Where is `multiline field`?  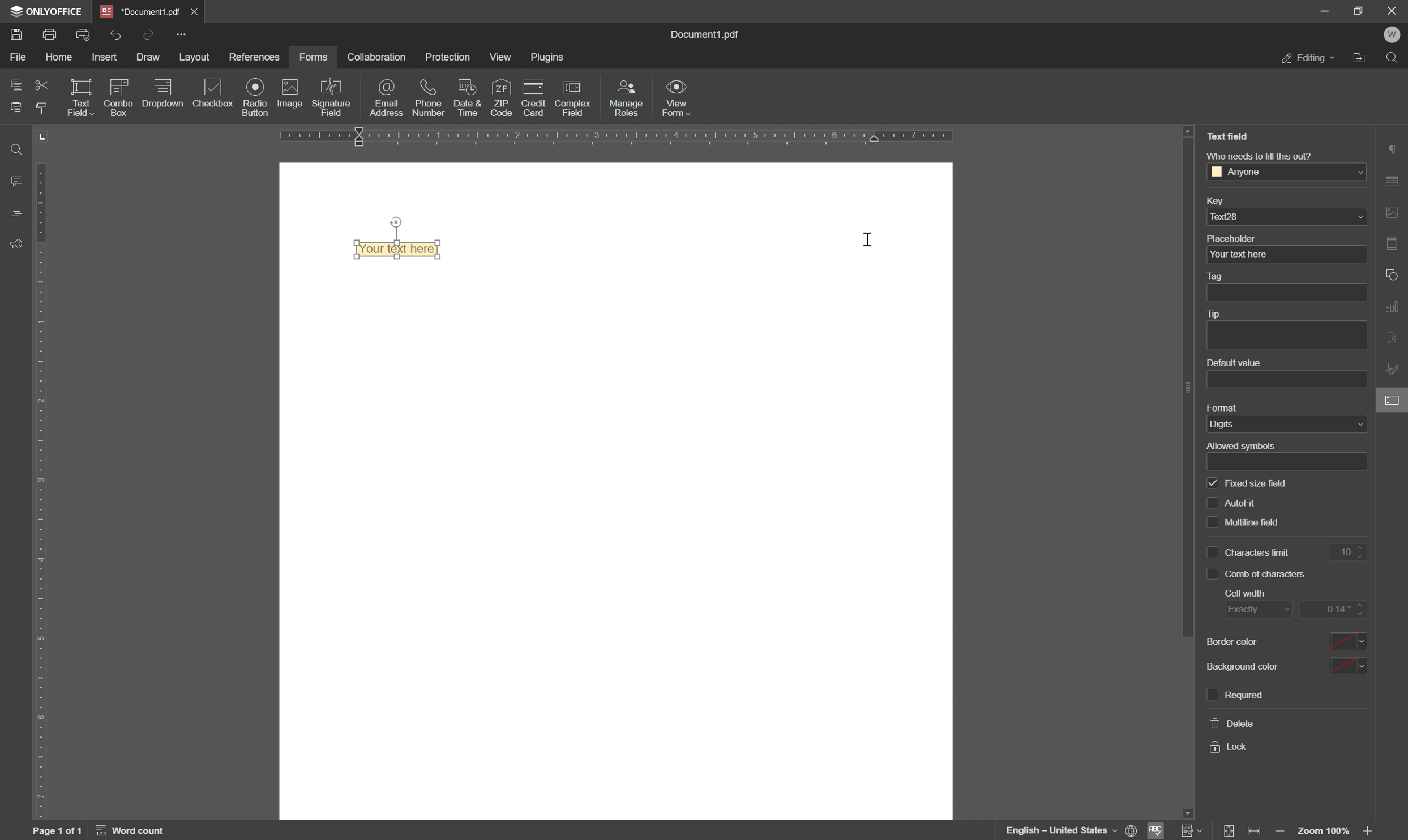
multiline field is located at coordinates (1246, 522).